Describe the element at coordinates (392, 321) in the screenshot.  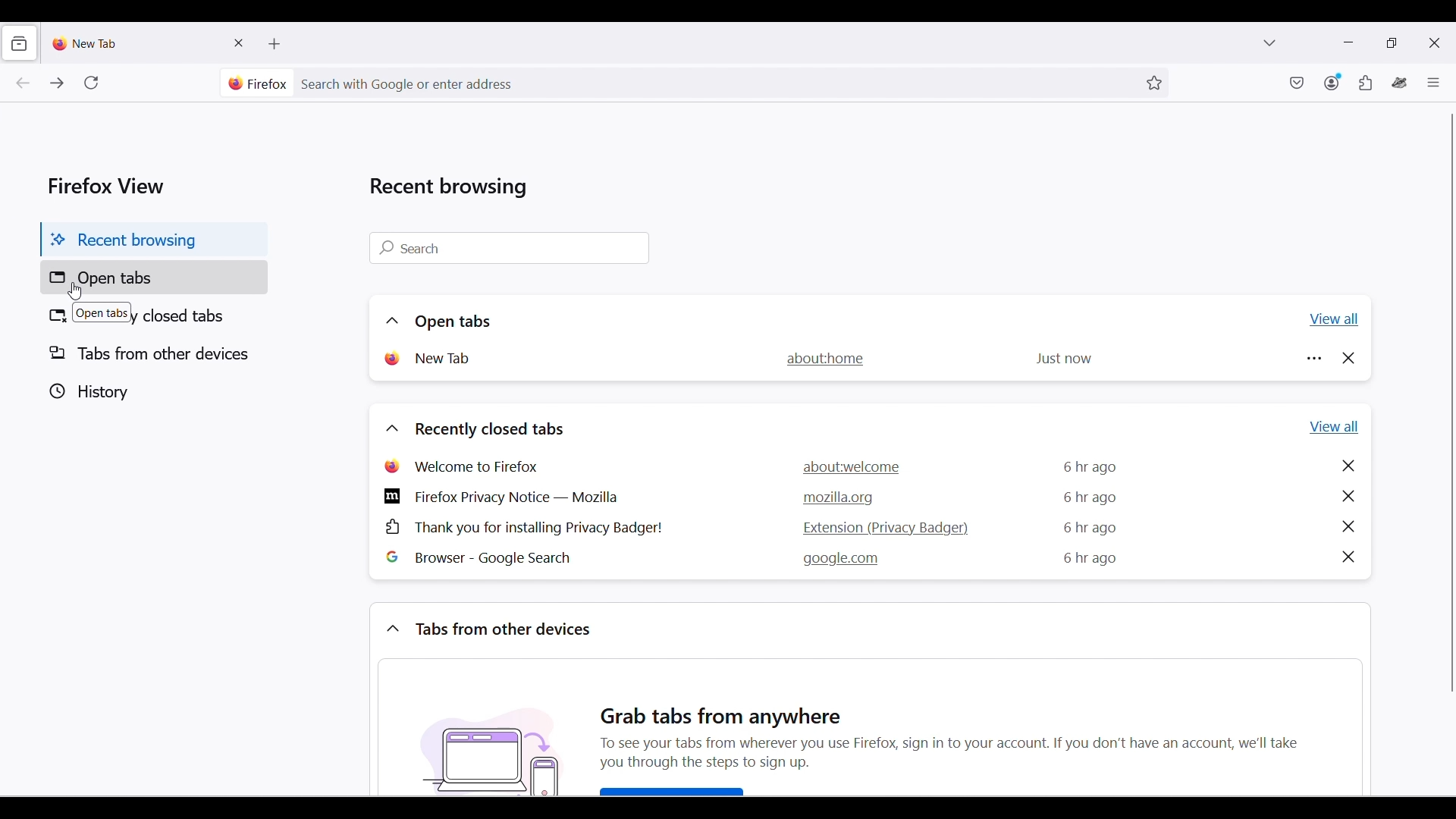
I see `Collapse Open tabs list` at that location.